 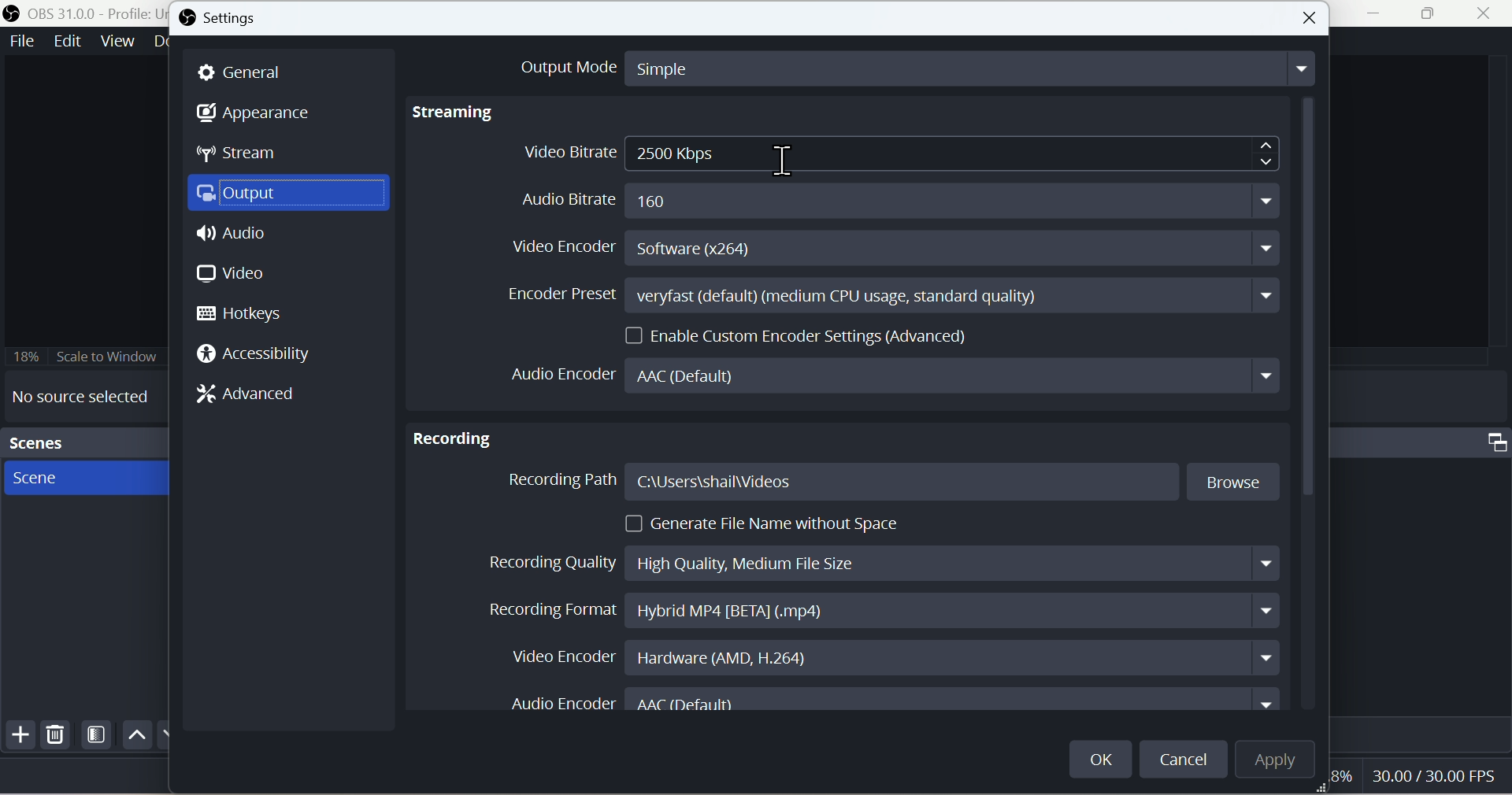 What do you see at coordinates (235, 238) in the screenshot?
I see `Audio` at bounding box center [235, 238].